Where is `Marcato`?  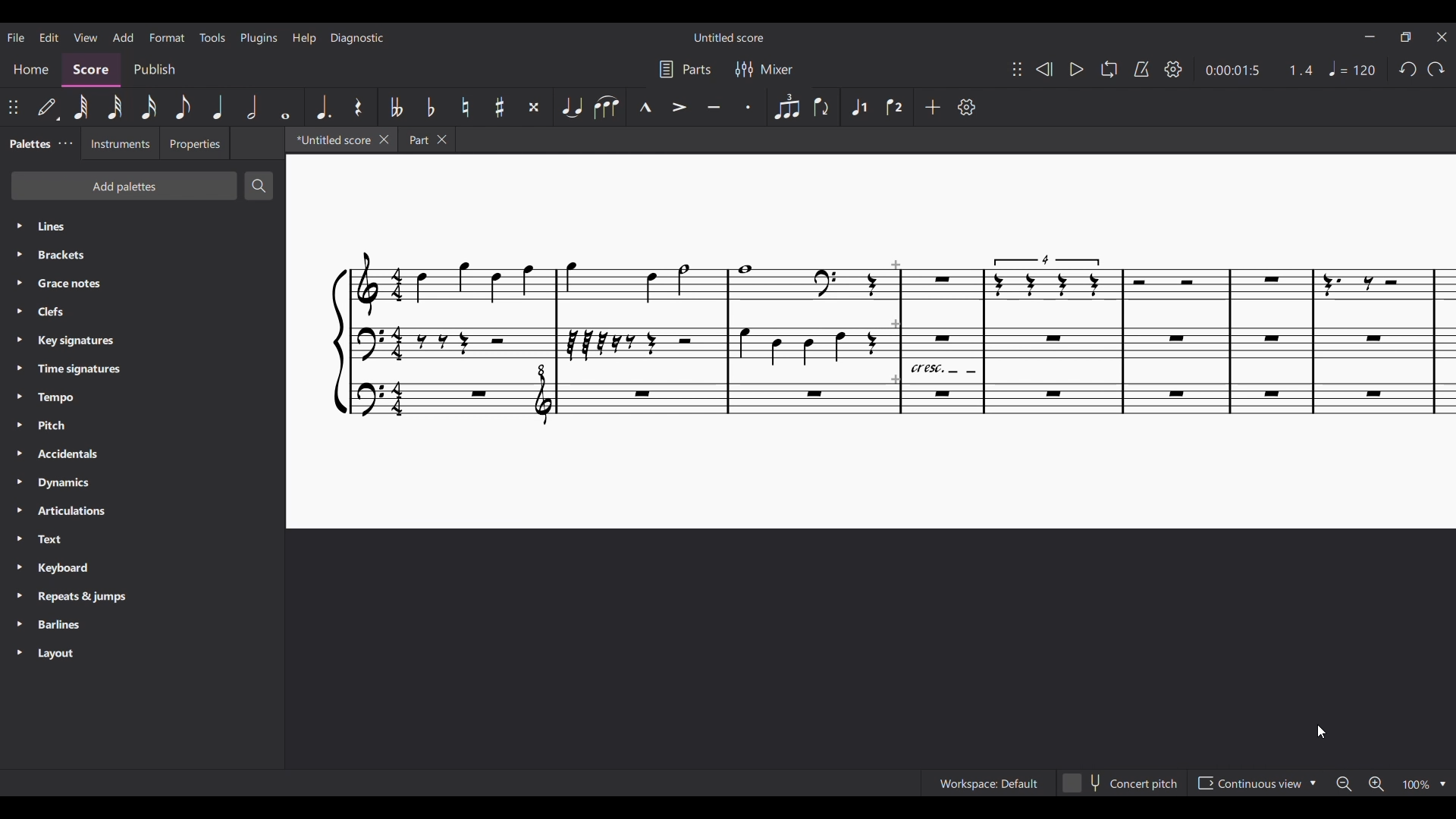
Marcato is located at coordinates (645, 107).